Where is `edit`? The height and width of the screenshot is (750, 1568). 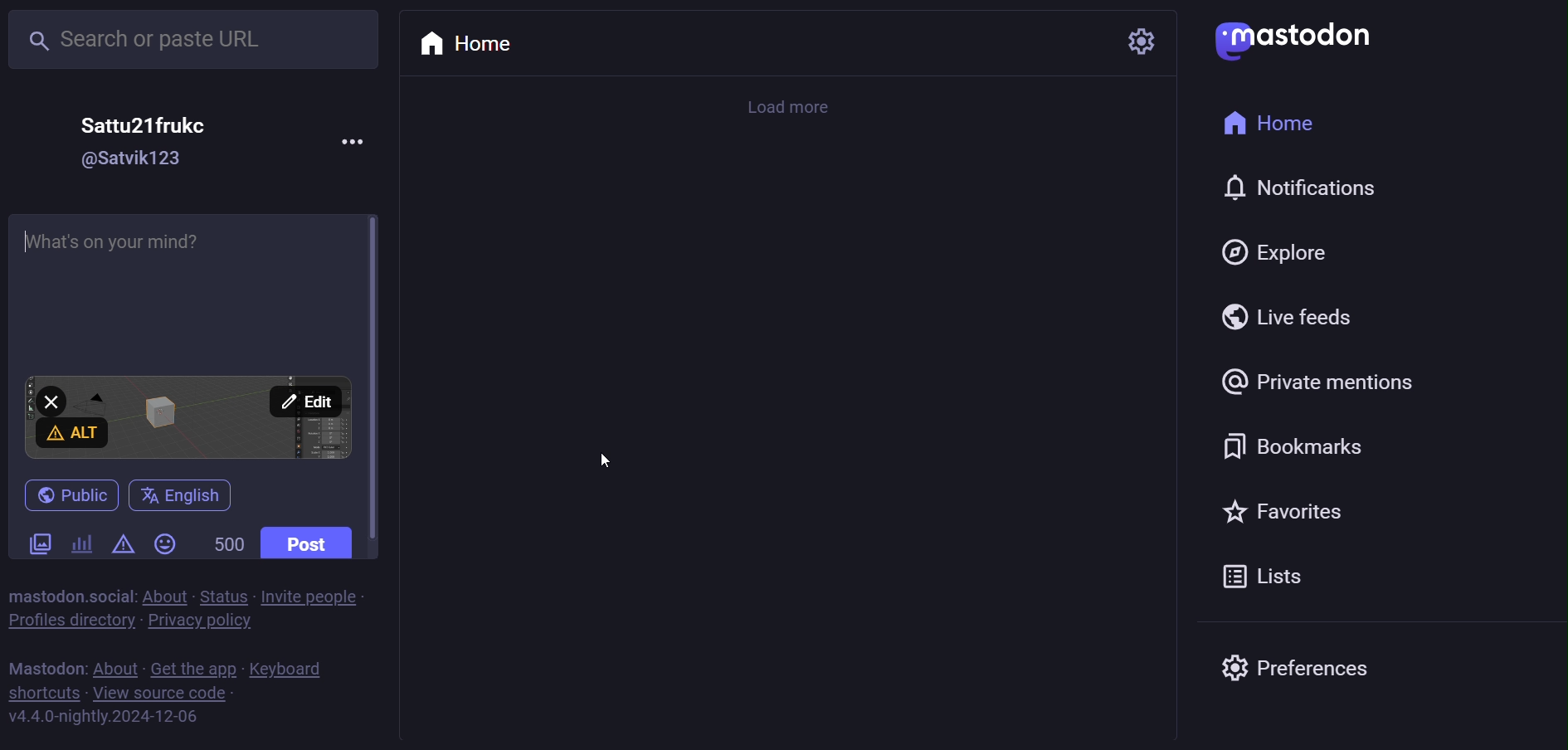 edit is located at coordinates (306, 401).